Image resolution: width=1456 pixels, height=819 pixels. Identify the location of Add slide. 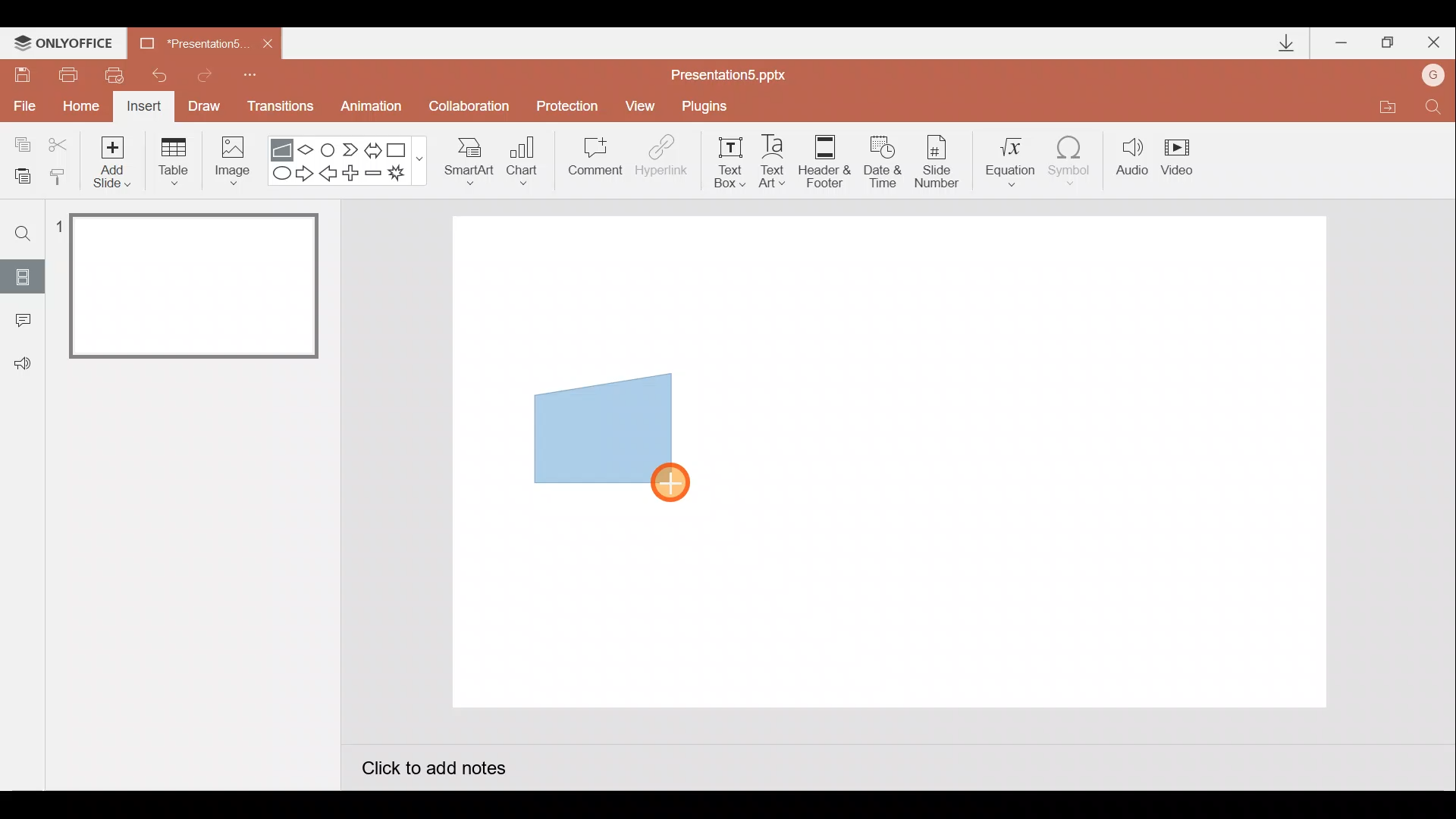
(115, 158).